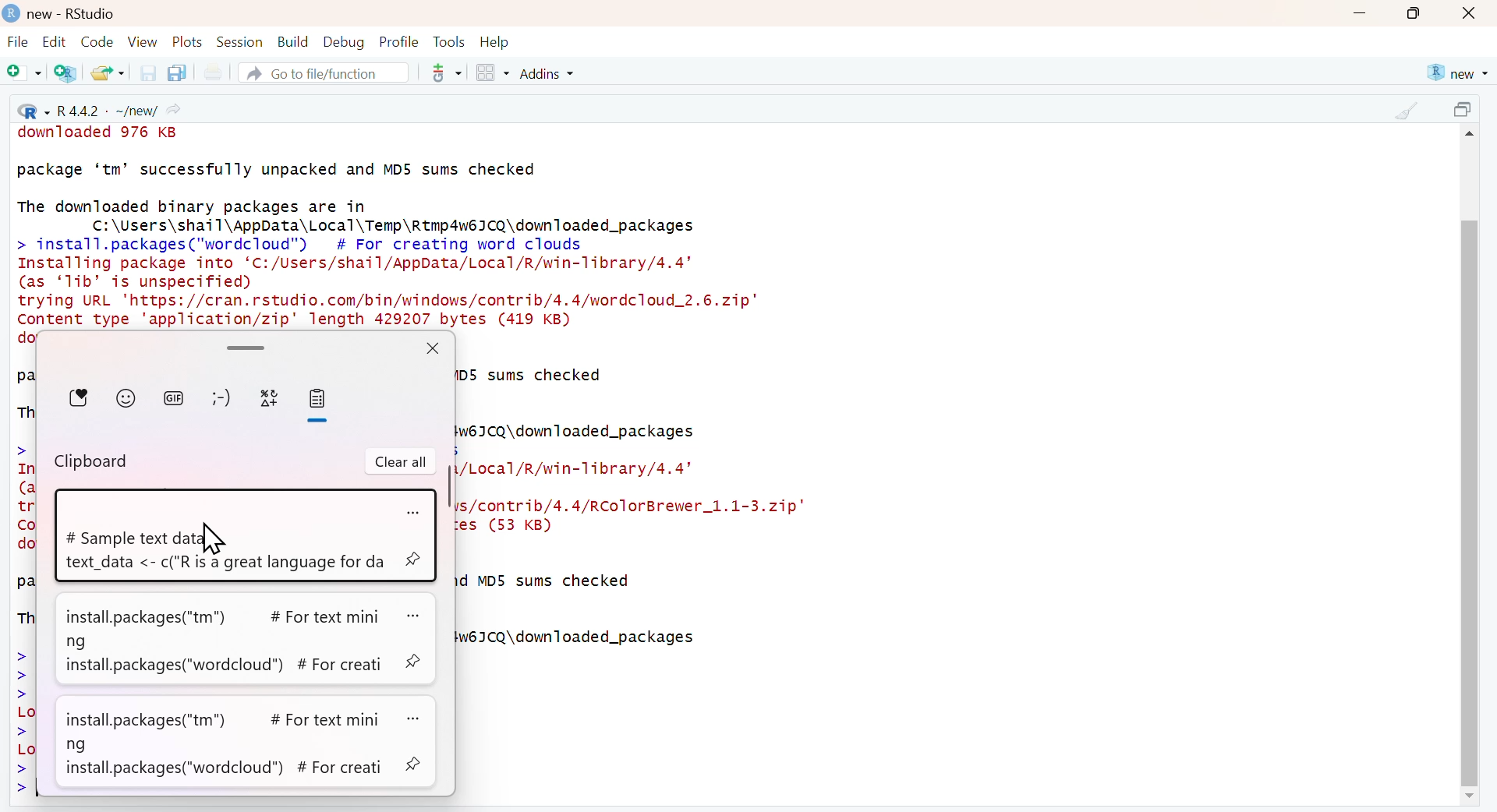 The width and height of the screenshot is (1497, 812). Describe the element at coordinates (388, 282) in the screenshot. I see `> install.packages("wordcloud”) # For creating word clouds

Installing package into ‘C:/Users/shail/AppData/Local/R/win-Tibrary/4.4’

(as ‘1ib’ is unspecified)

trying URL 'https://cran.rstudio.com/bin/windows/contrib/4.4/wordcloud_2.6.zip"
Content type 'application/zip' length 429207 bytes (419 KB)

downloaded 419 KB` at that location.